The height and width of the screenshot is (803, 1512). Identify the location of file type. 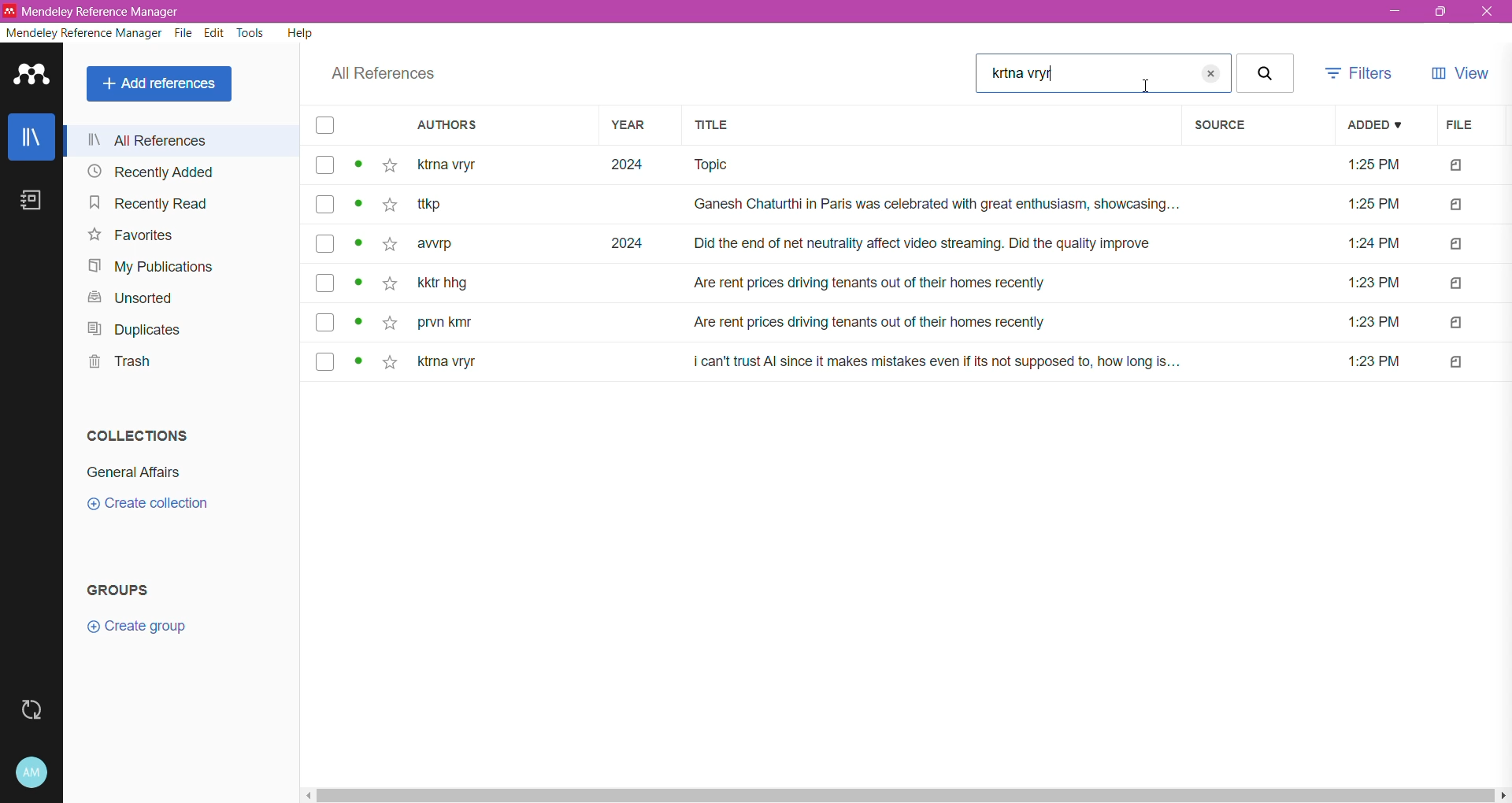
(1456, 284).